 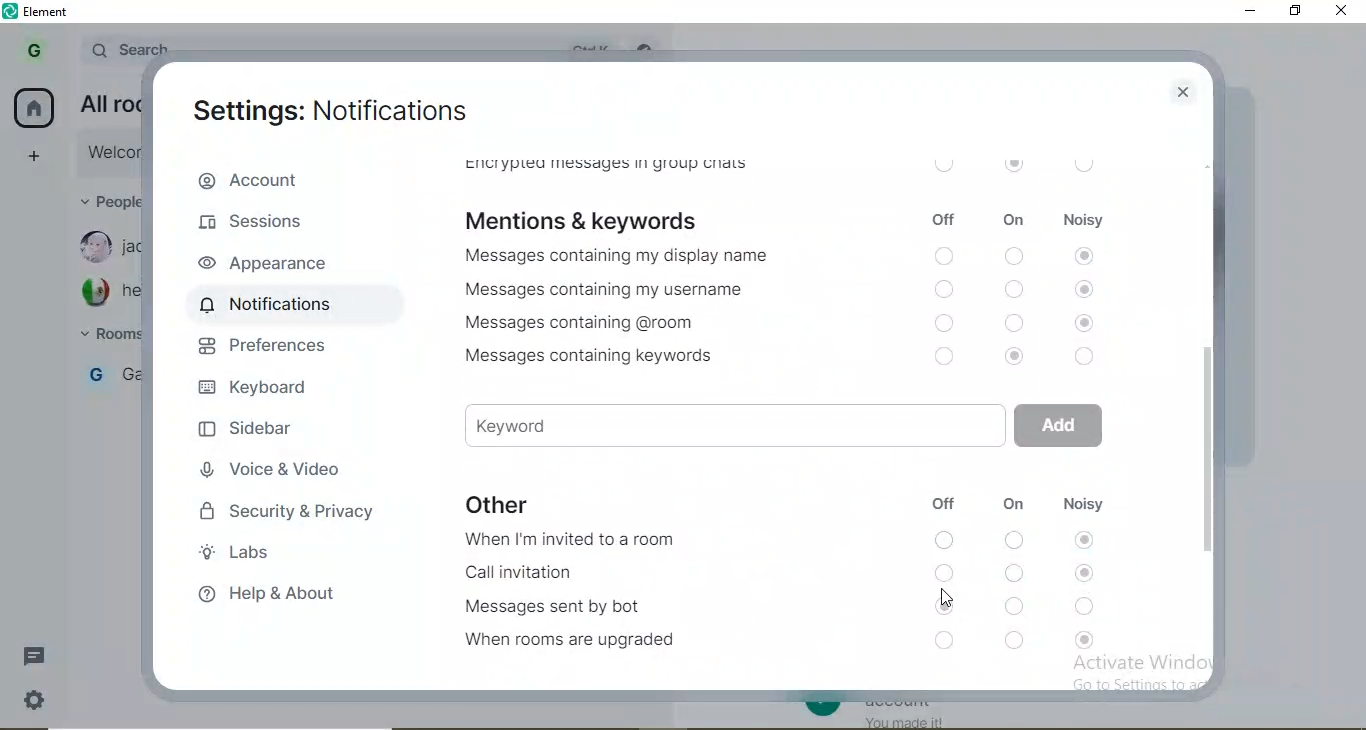 What do you see at coordinates (943, 218) in the screenshot?
I see `off` at bounding box center [943, 218].